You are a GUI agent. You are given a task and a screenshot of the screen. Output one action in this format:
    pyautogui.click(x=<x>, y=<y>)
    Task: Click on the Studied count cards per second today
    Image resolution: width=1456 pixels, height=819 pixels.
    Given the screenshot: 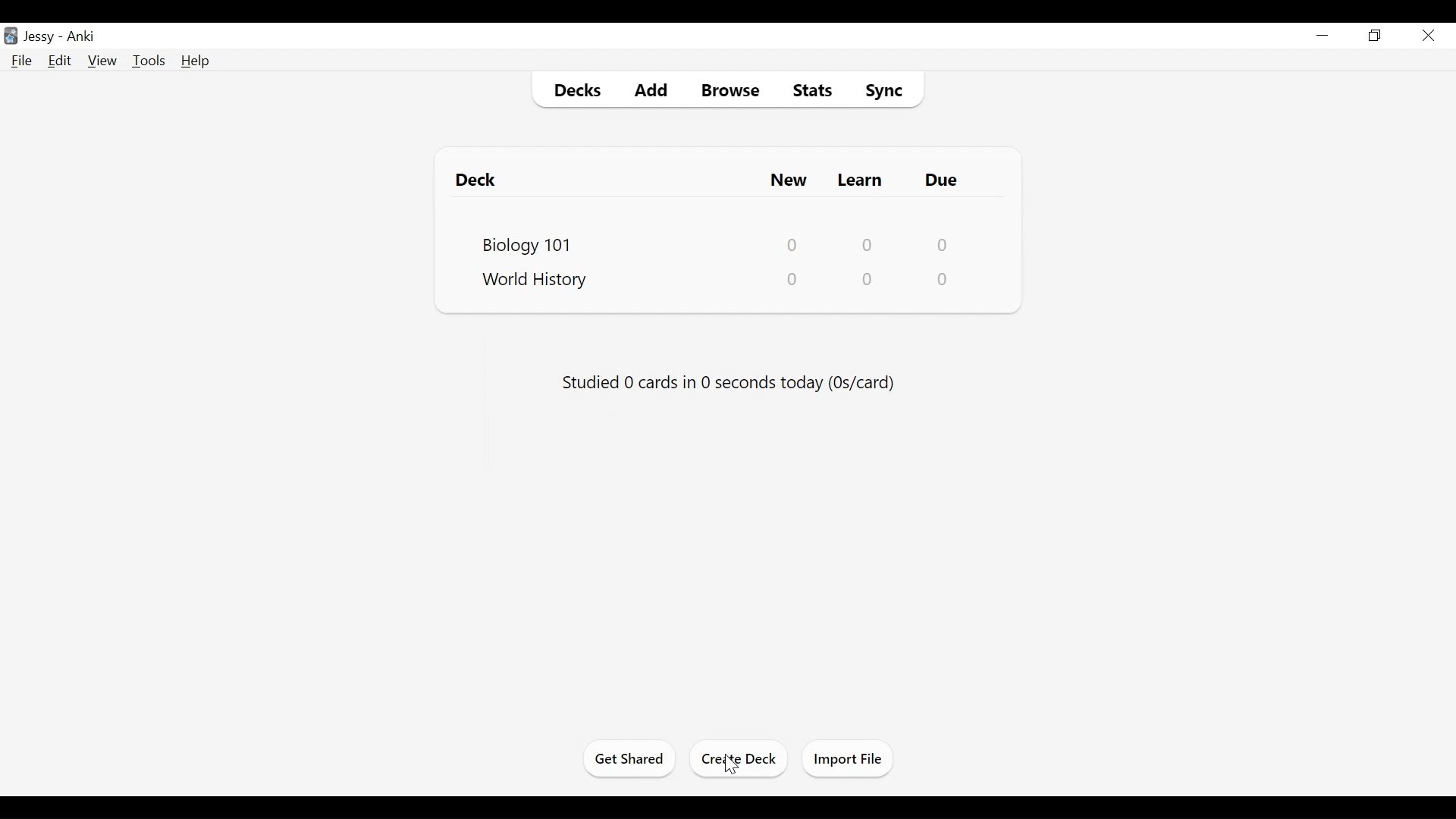 What is the action you would take?
    pyautogui.click(x=725, y=382)
    